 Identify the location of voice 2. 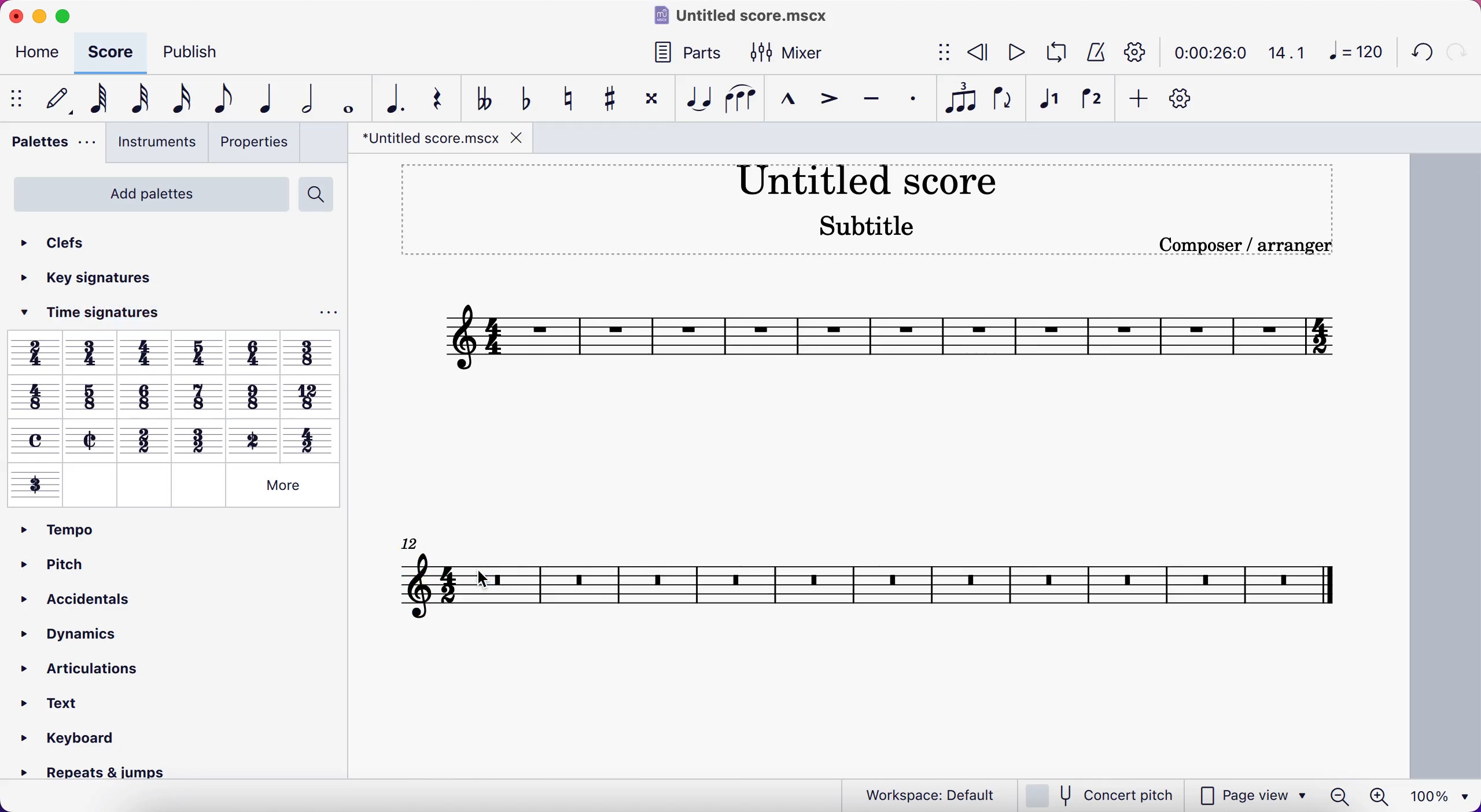
(1089, 98).